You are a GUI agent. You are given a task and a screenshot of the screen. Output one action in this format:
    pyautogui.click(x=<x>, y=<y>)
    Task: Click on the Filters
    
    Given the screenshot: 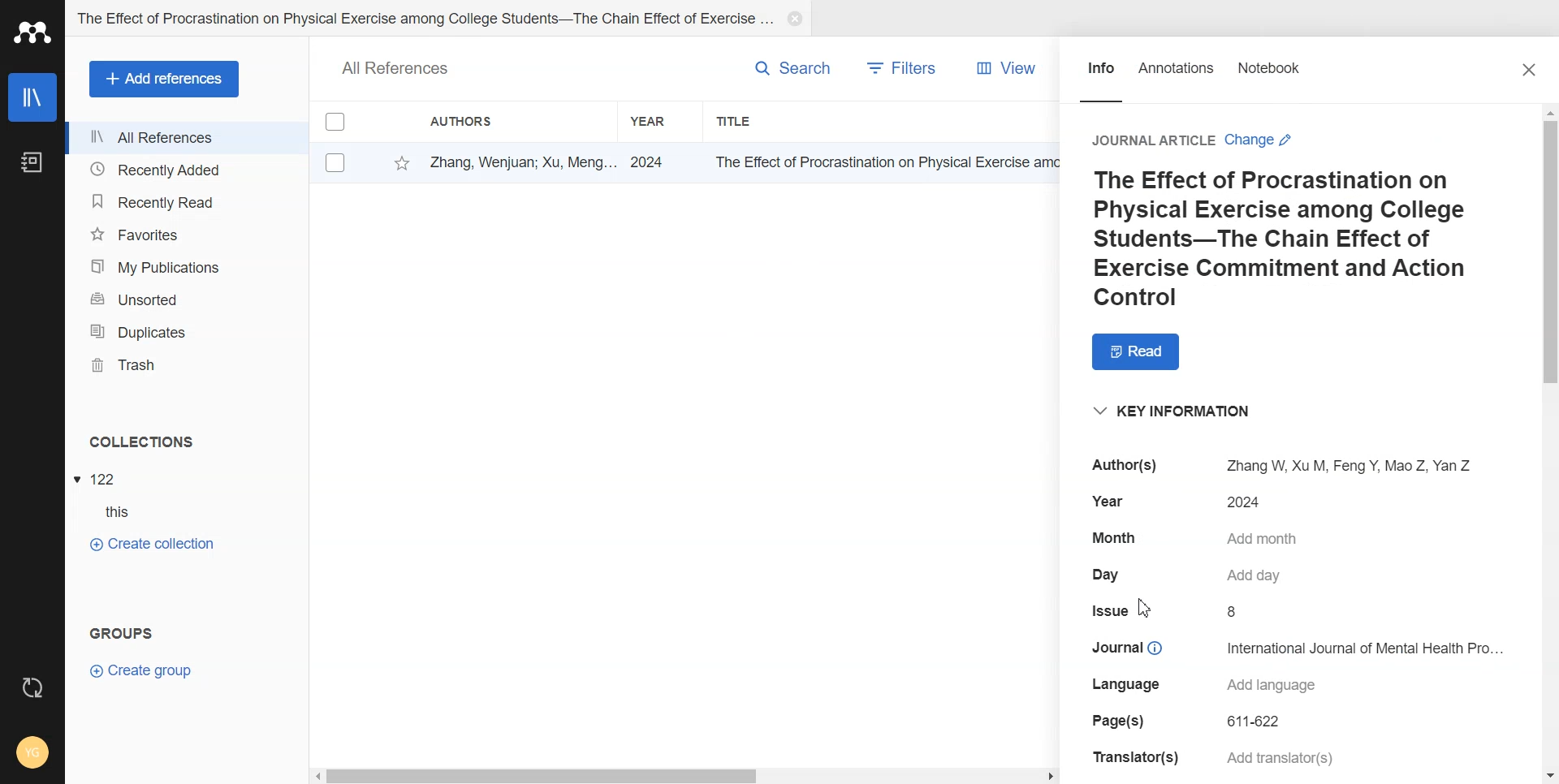 What is the action you would take?
    pyautogui.click(x=906, y=67)
    